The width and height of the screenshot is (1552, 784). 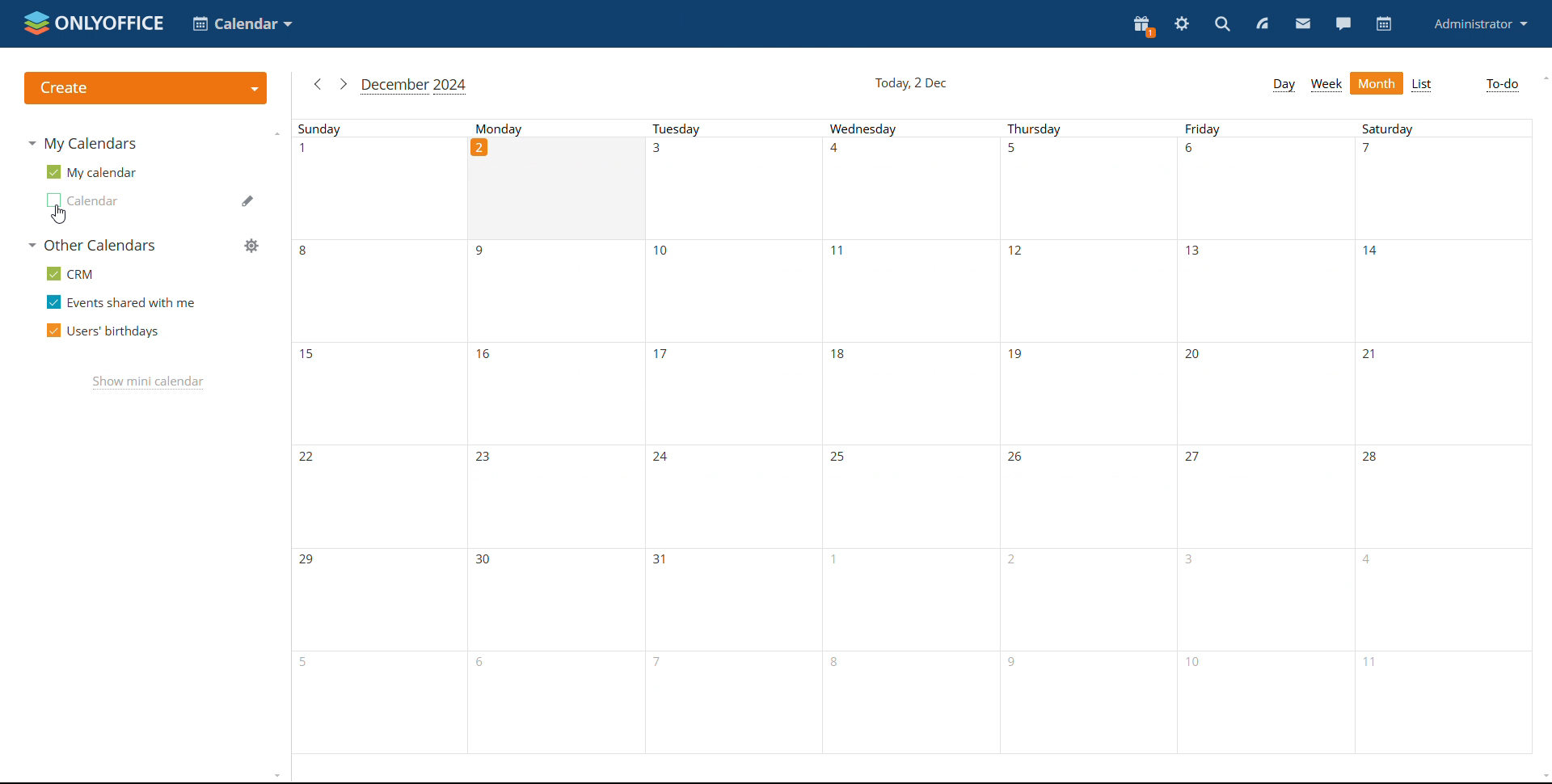 I want to click on 20, so click(x=1266, y=393).